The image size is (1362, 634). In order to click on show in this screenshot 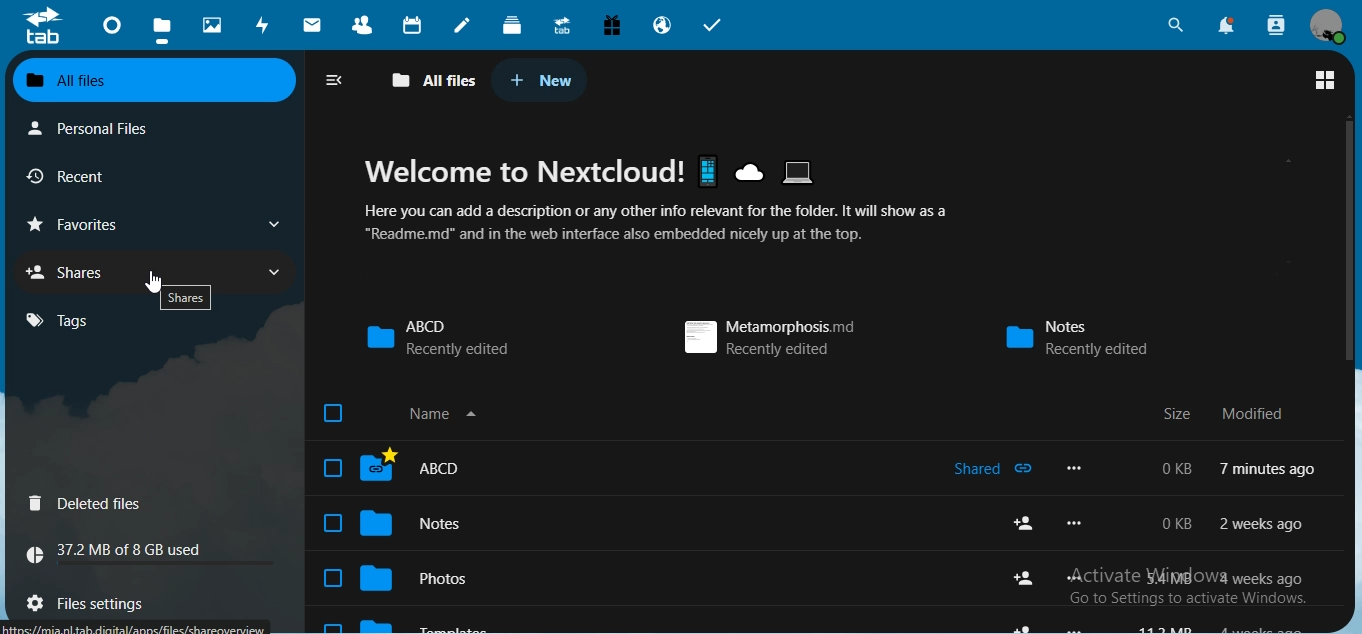, I will do `click(275, 225)`.